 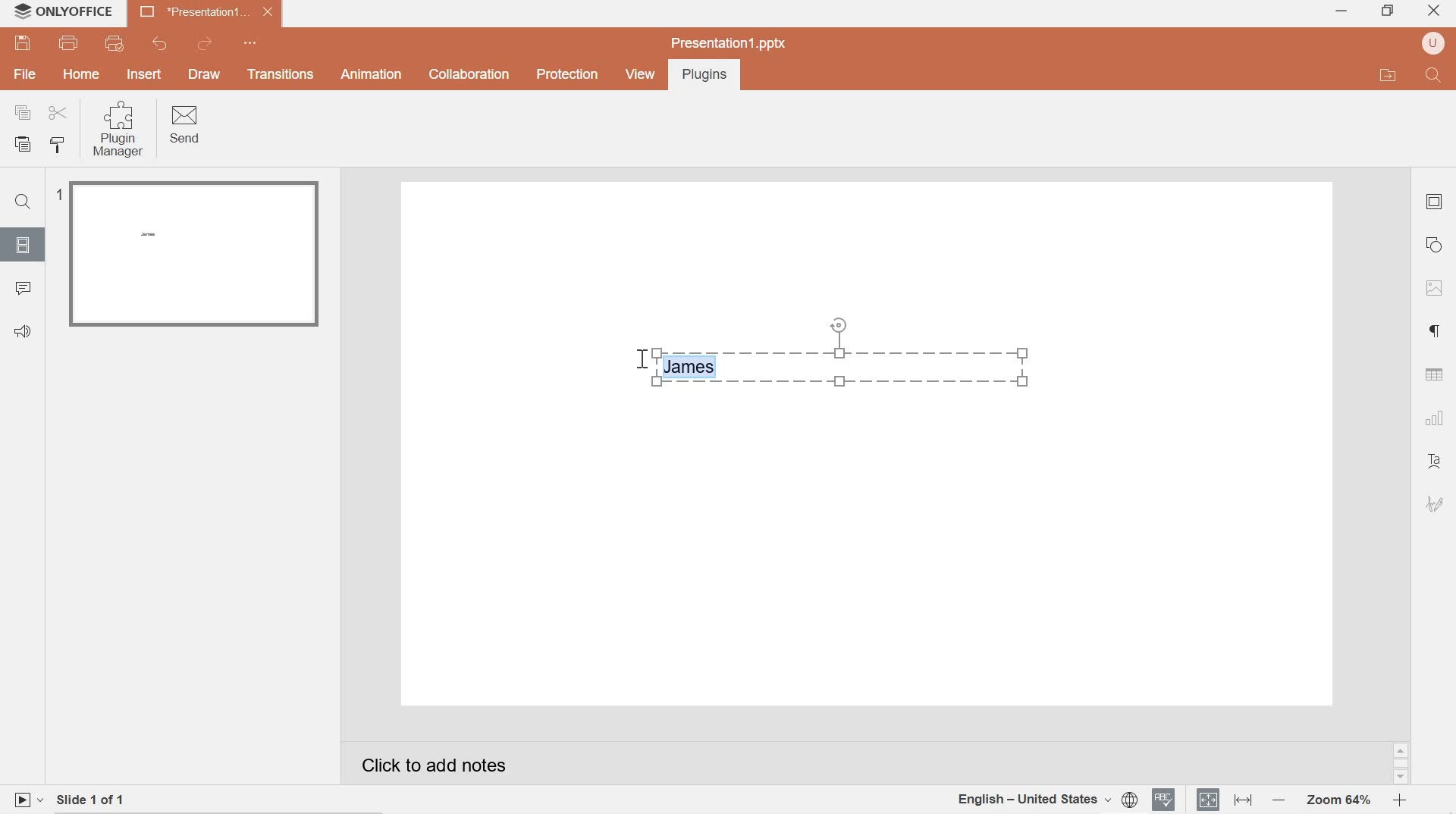 I want to click on Plugins, so click(x=701, y=76).